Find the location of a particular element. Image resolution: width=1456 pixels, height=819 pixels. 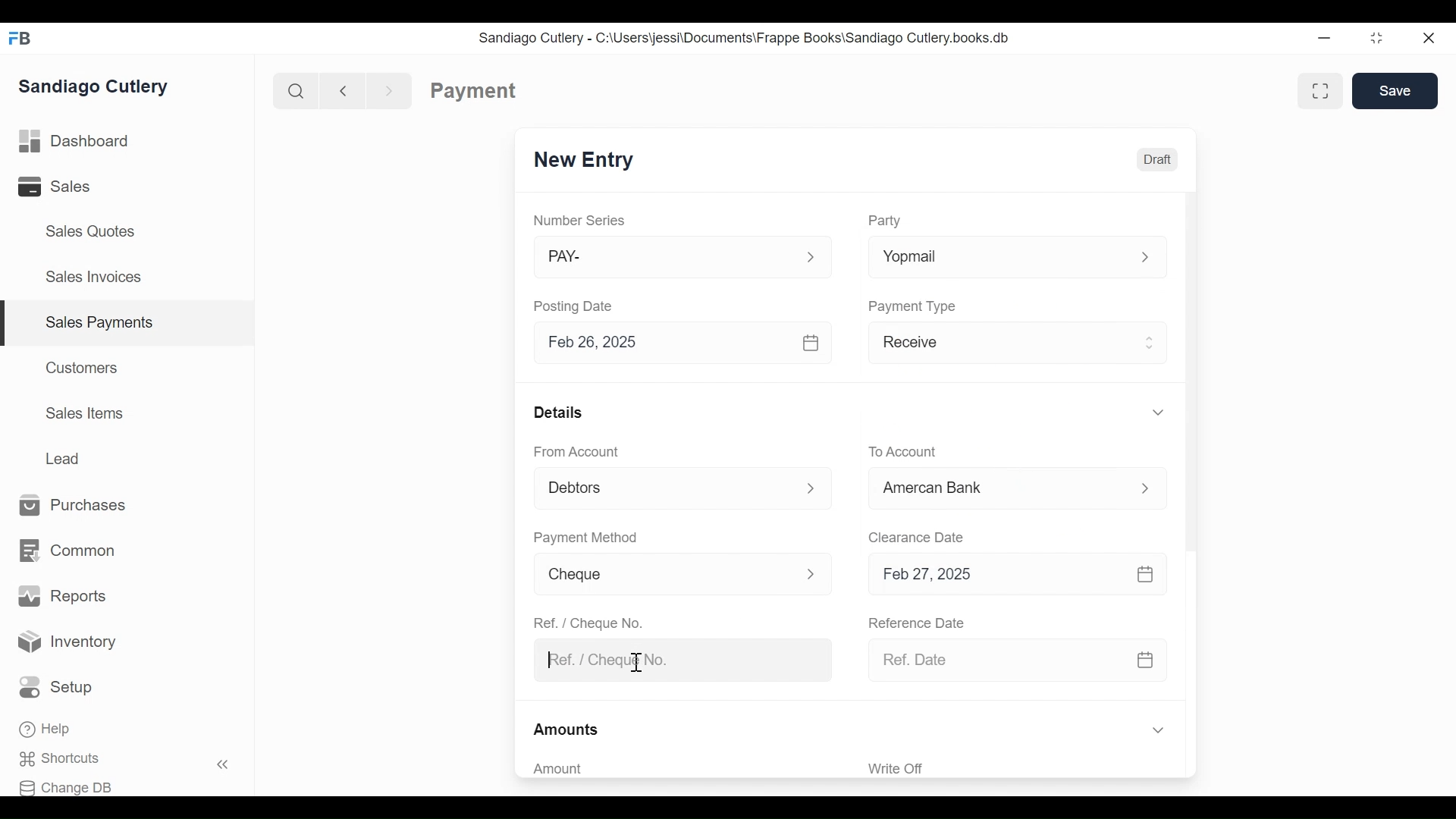

Payment is located at coordinates (474, 91).